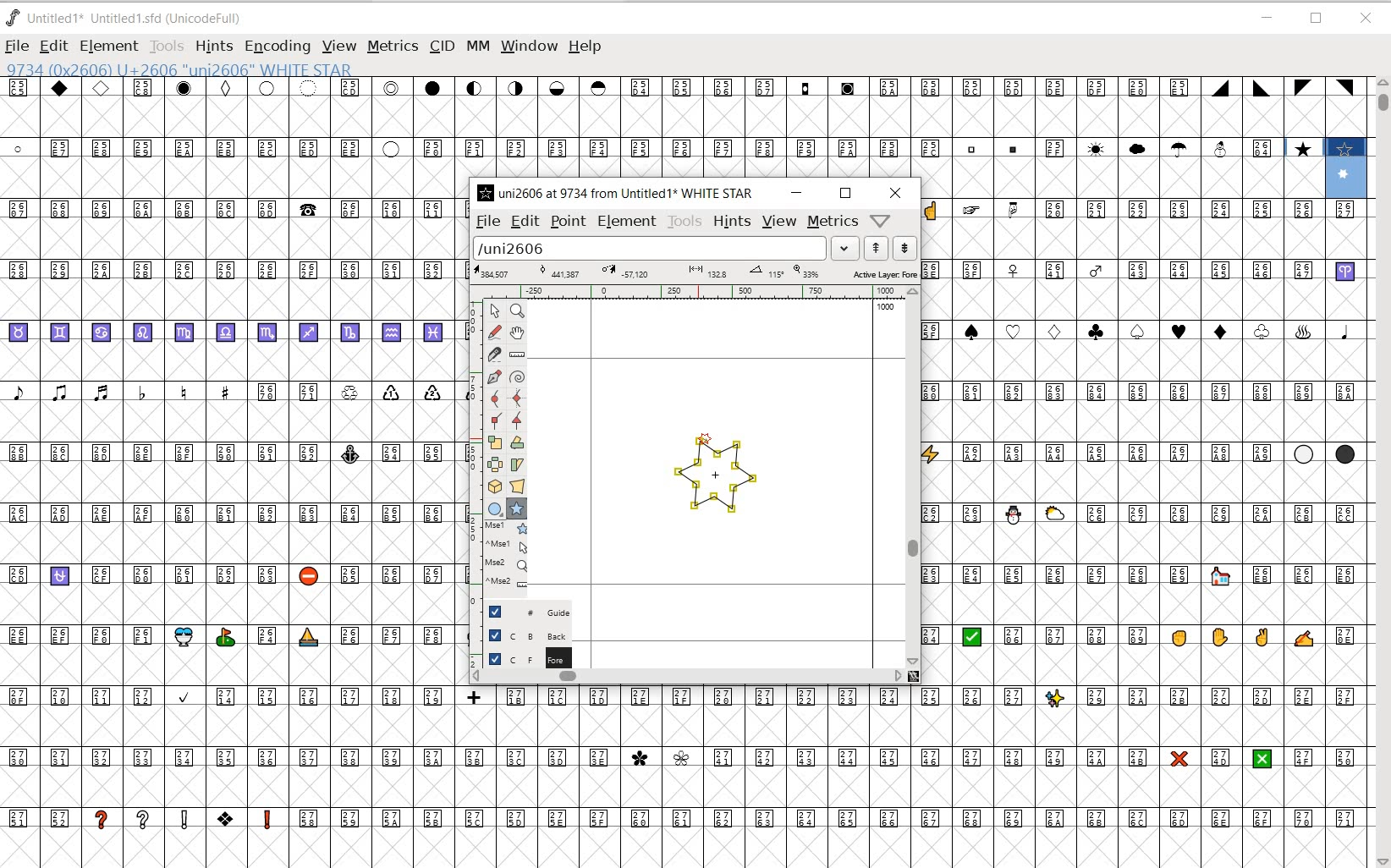 The height and width of the screenshot is (868, 1391). Describe the element at coordinates (508, 555) in the screenshot. I see `OCCURENCES OF EDITING TOOLS ON THE WINDOW` at that location.